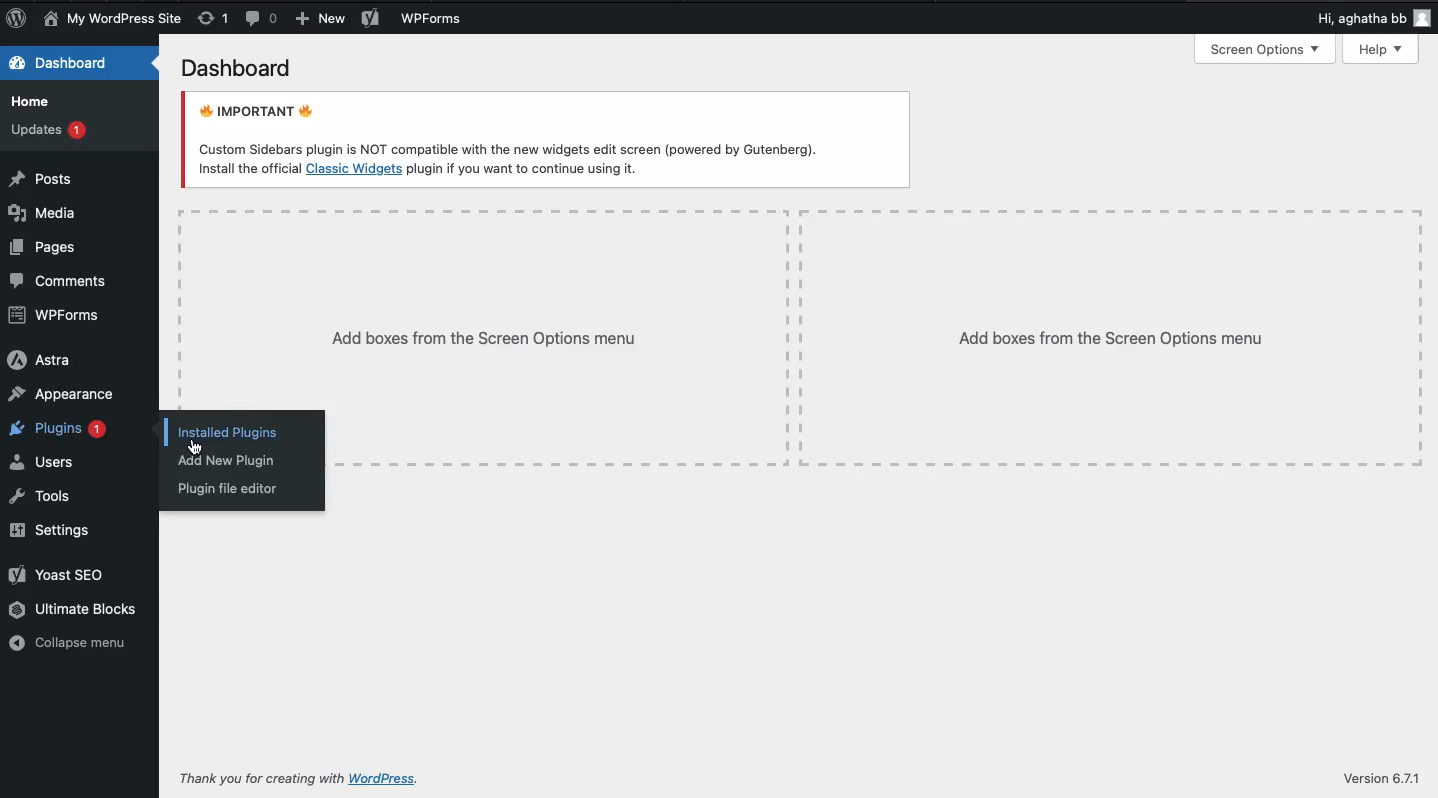  Describe the element at coordinates (56, 427) in the screenshot. I see `Plugins` at that location.